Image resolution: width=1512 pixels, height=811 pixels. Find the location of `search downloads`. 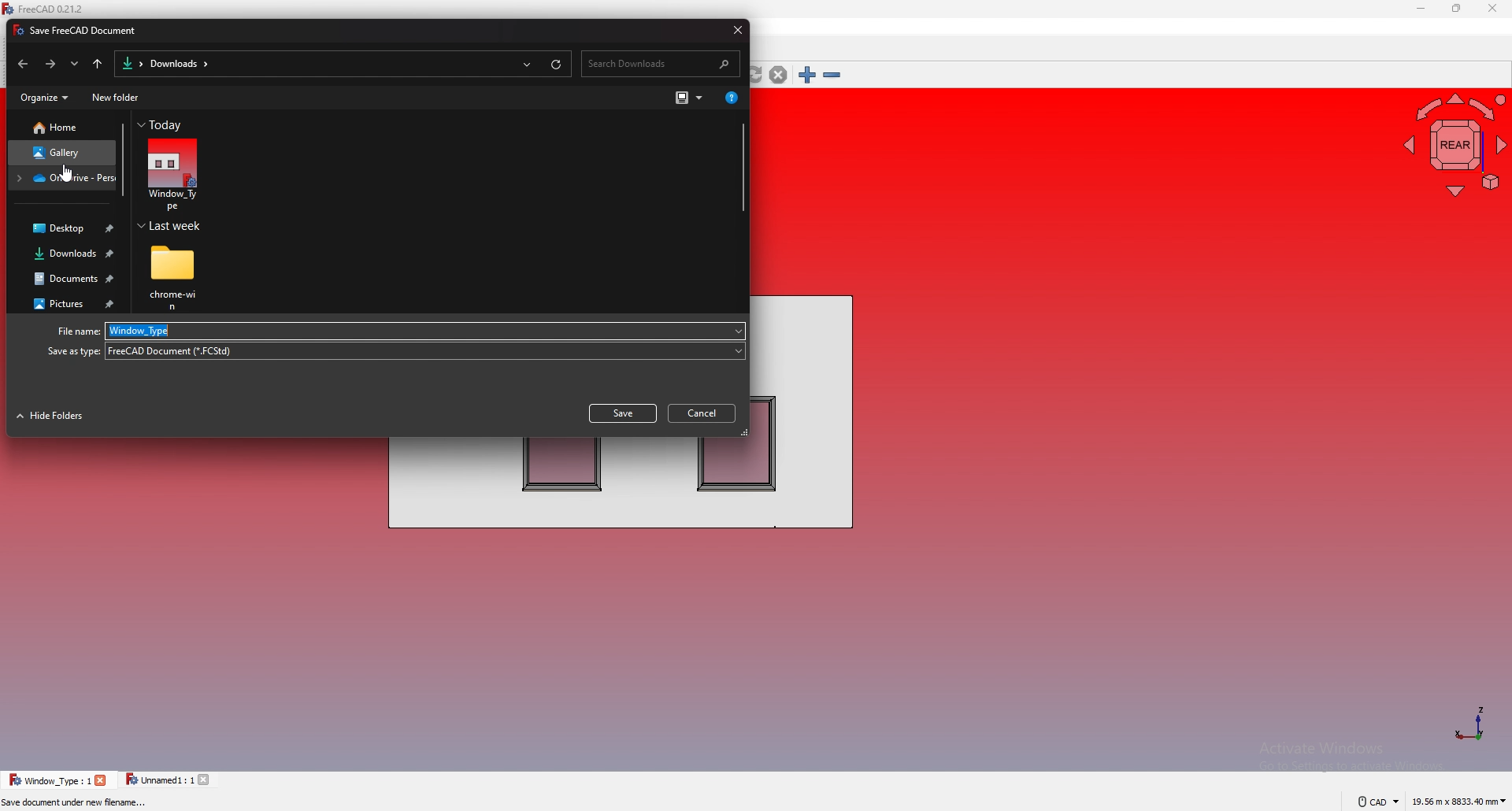

search downloads is located at coordinates (663, 62).